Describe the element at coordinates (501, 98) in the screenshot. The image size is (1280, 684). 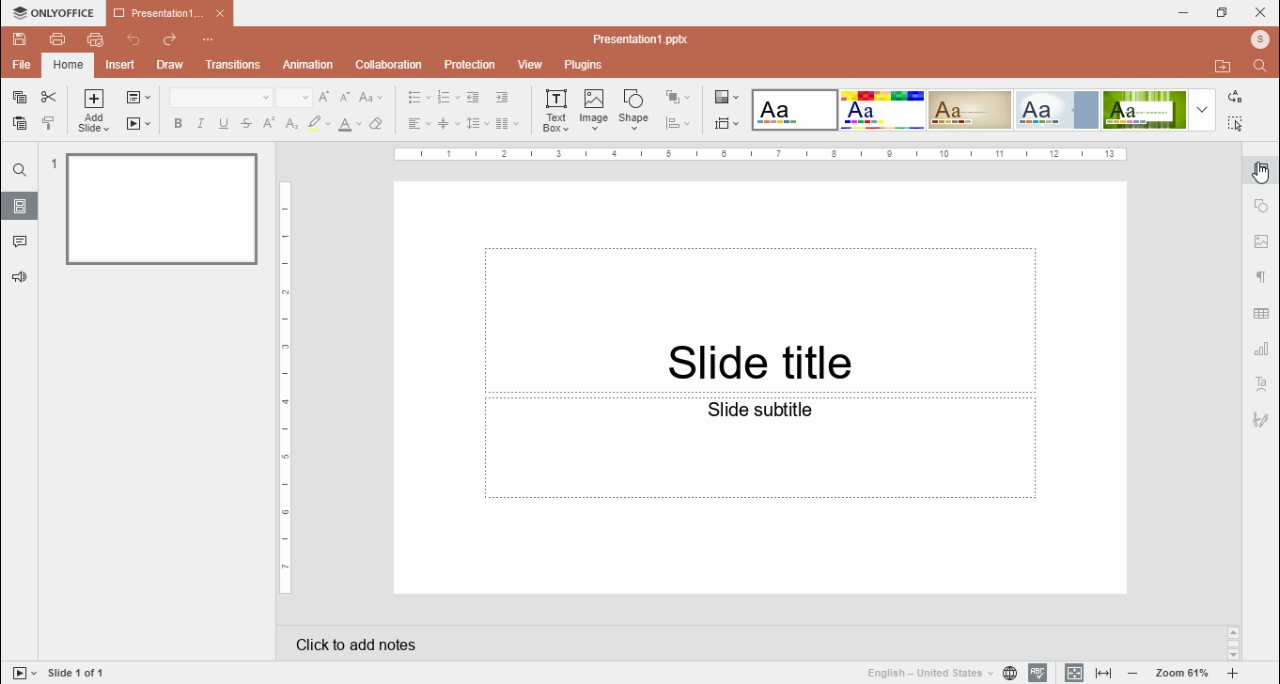
I see `increase indent` at that location.